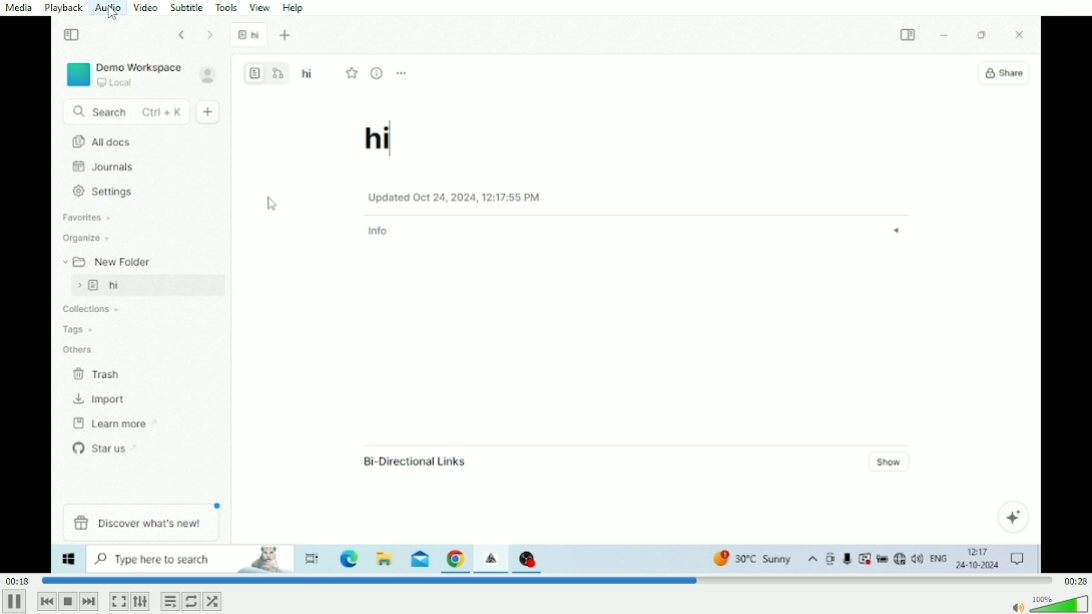 The width and height of the screenshot is (1092, 614). What do you see at coordinates (546, 295) in the screenshot?
I see `Video` at bounding box center [546, 295].